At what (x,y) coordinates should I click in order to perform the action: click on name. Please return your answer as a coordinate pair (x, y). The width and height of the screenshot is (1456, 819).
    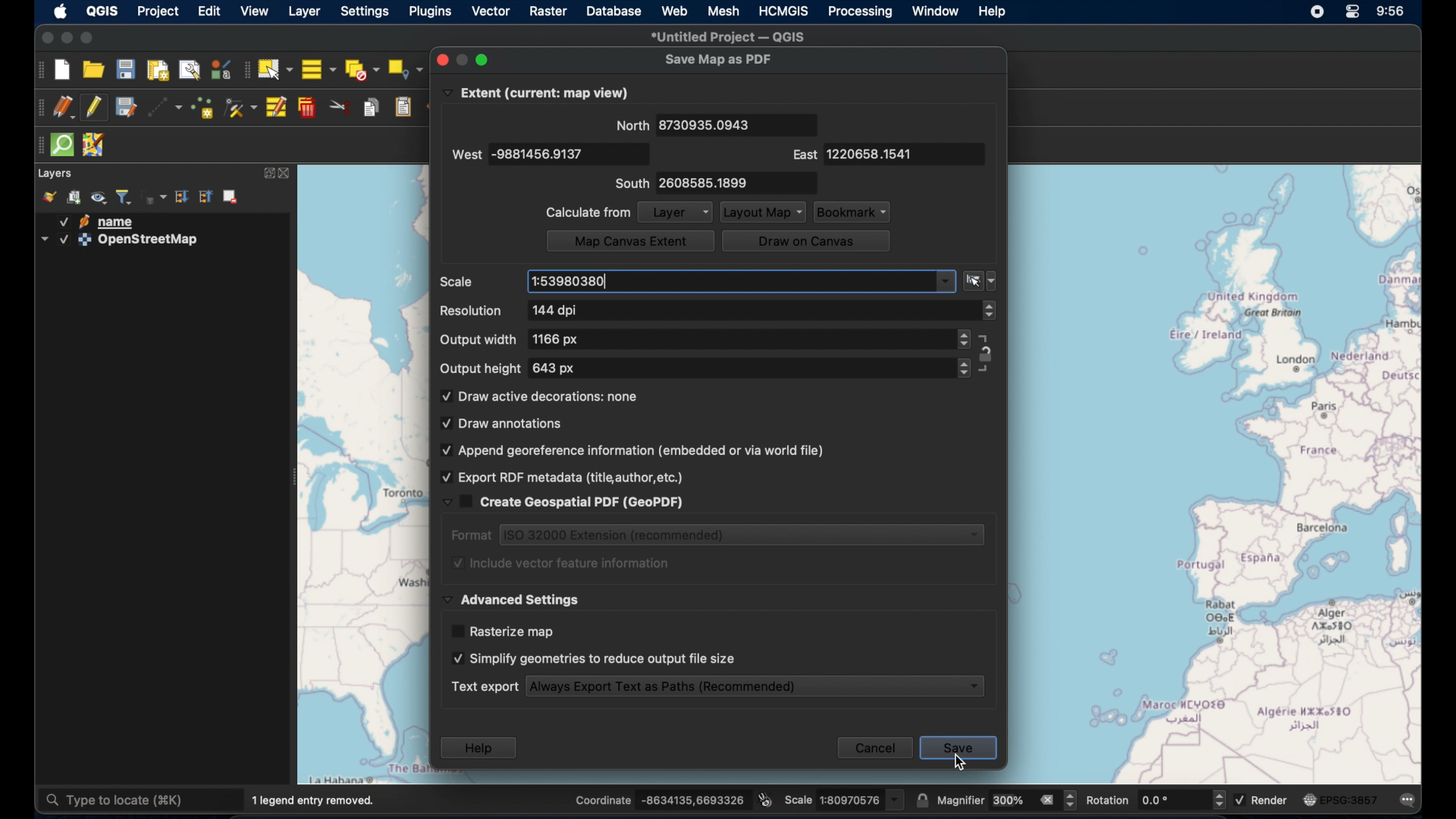
    Looking at the image, I should click on (103, 221).